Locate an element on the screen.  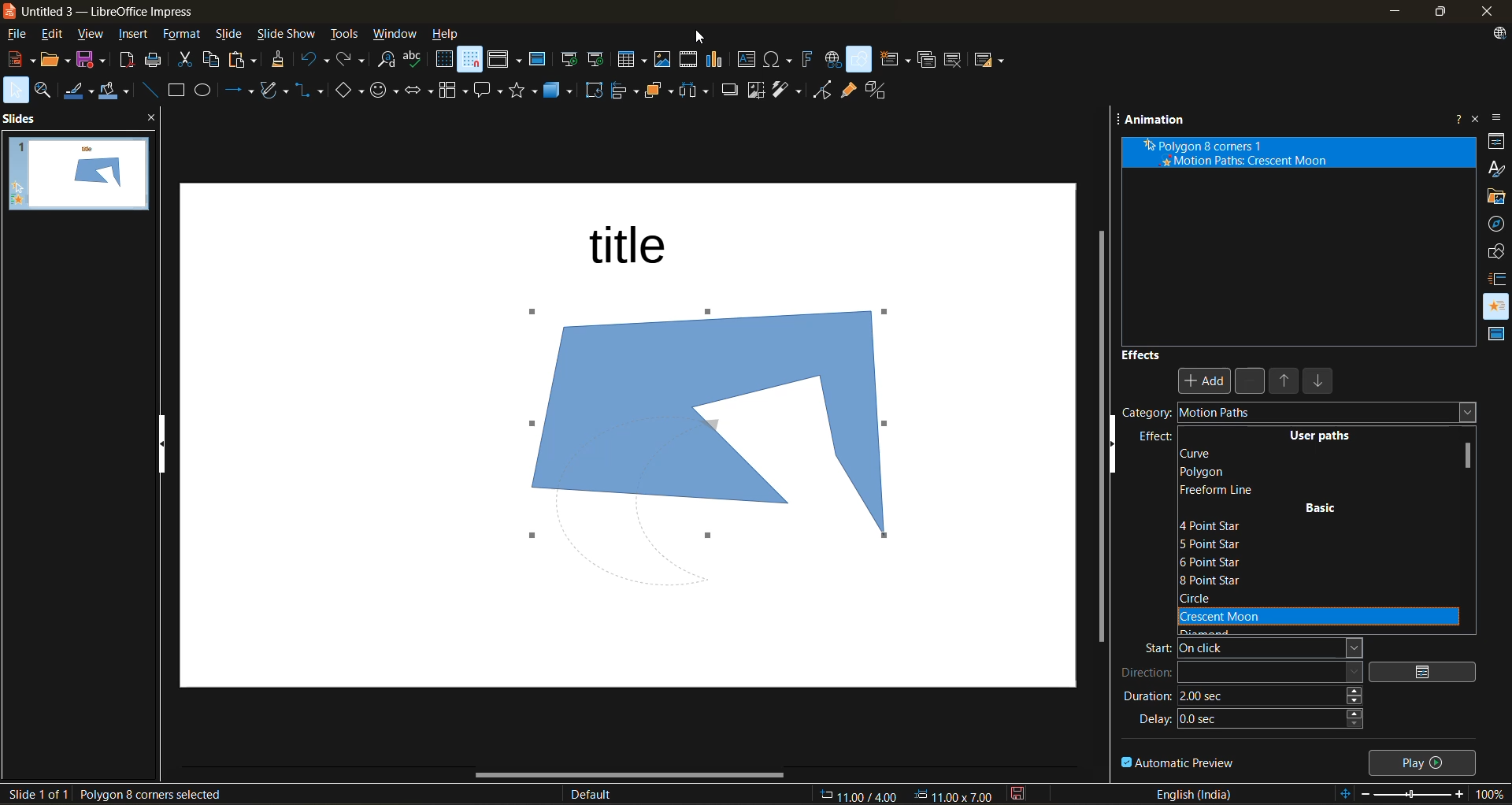
untitled 3 - LibreOffice Impress is located at coordinates (124, 9).